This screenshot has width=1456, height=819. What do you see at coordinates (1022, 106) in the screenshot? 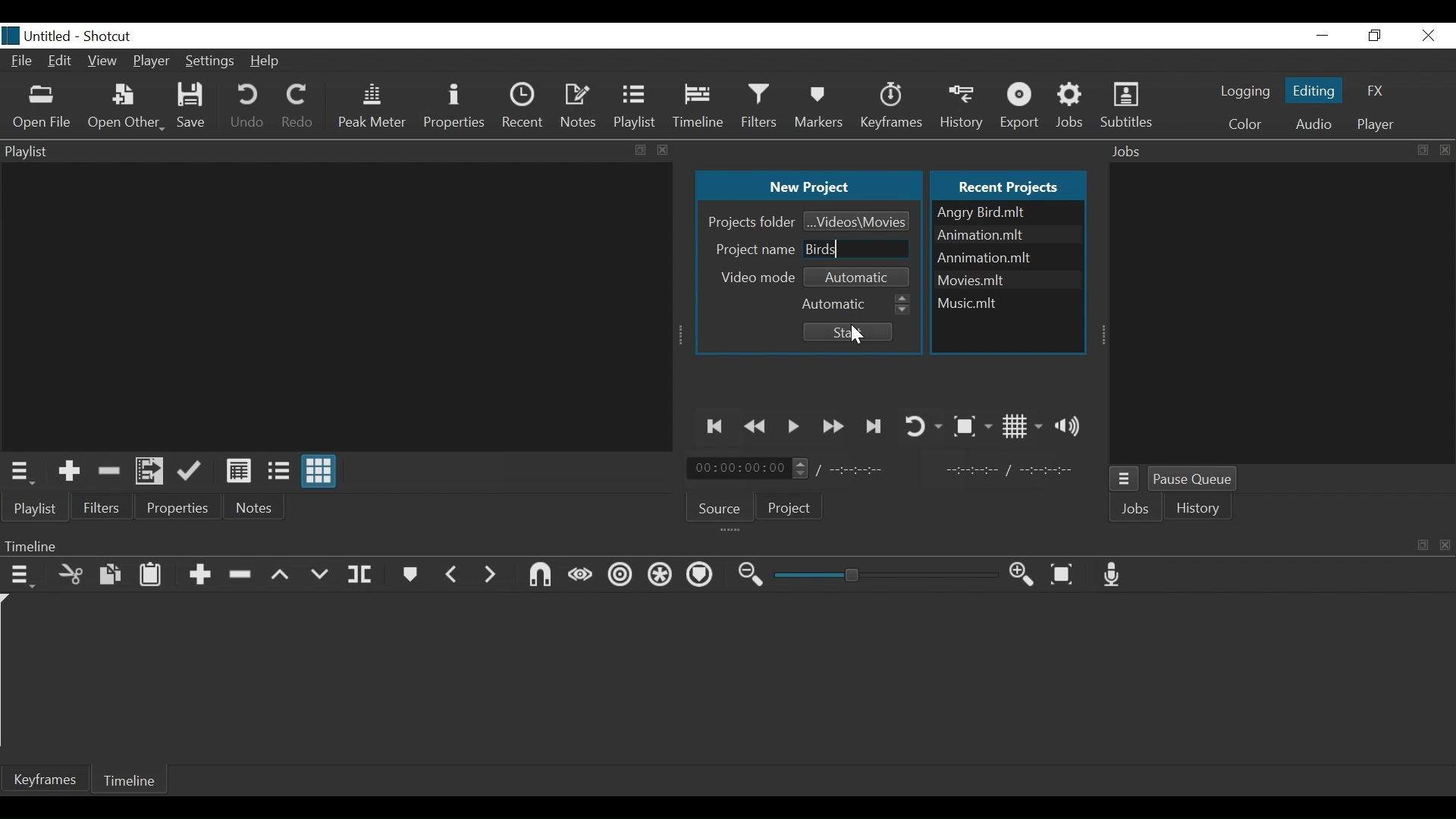
I see `Export` at bounding box center [1022, 106].